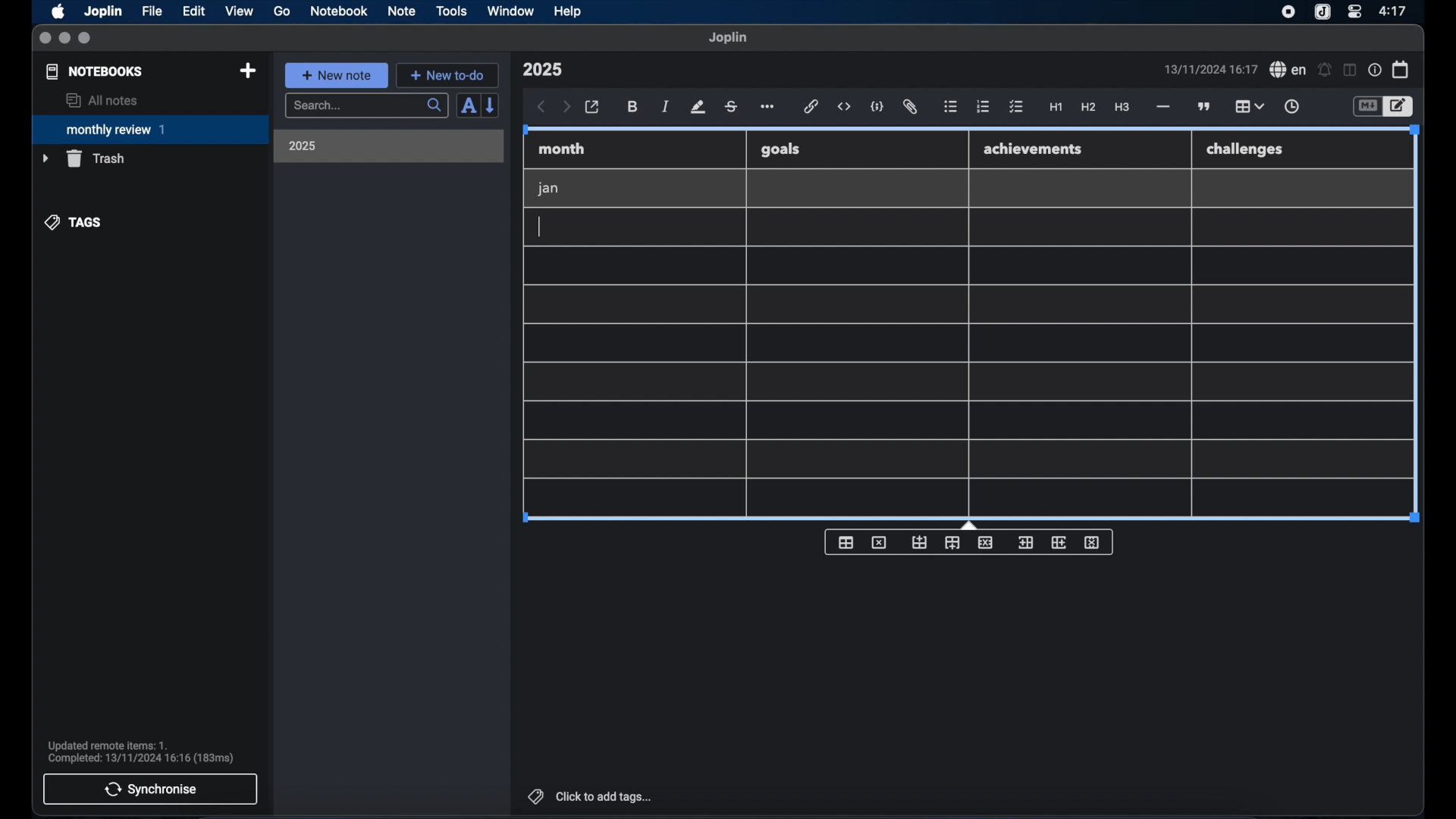 This screenshot has height=819, width=1456. What do you see at coordinates (1375, 71) in the screenshot?
I see `note properties` at bounding box center [1375, 71].